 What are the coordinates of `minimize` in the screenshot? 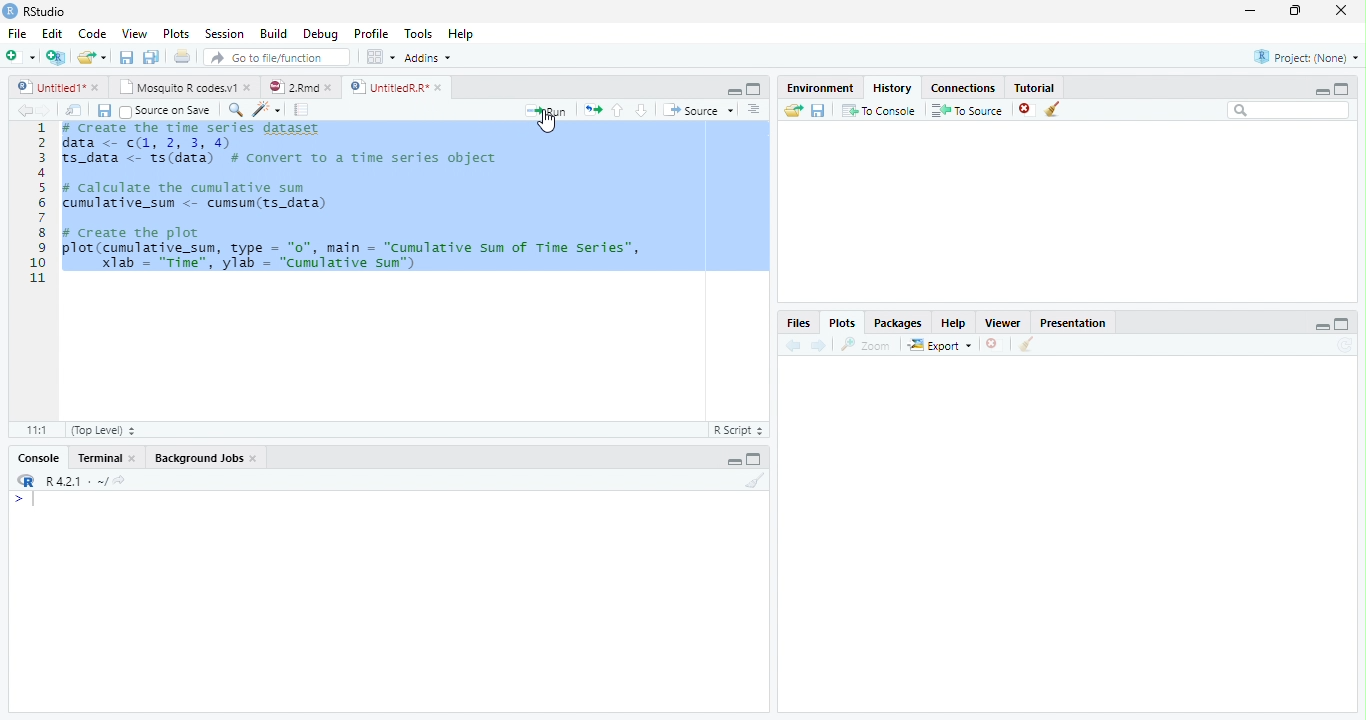 It's located at (1249, 12).